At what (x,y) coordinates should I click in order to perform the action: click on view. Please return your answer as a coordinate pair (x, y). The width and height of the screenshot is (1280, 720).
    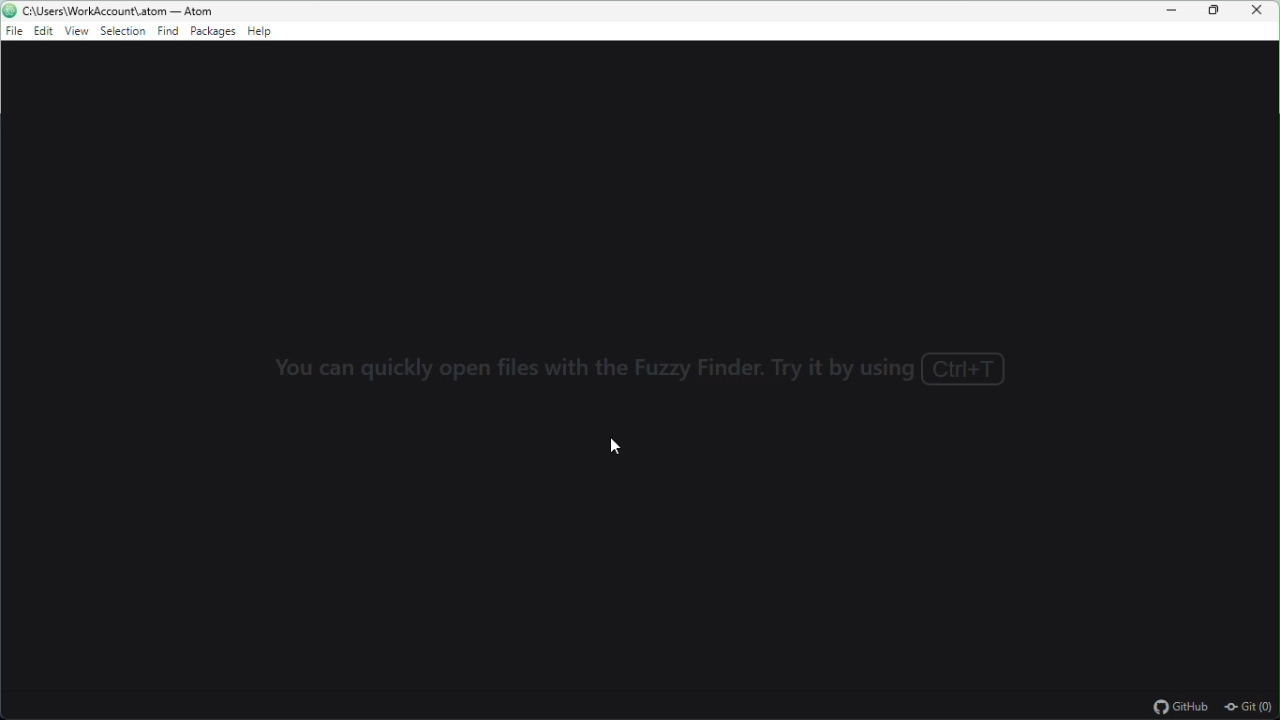
    Looking at the image, I should click on (76, 32).